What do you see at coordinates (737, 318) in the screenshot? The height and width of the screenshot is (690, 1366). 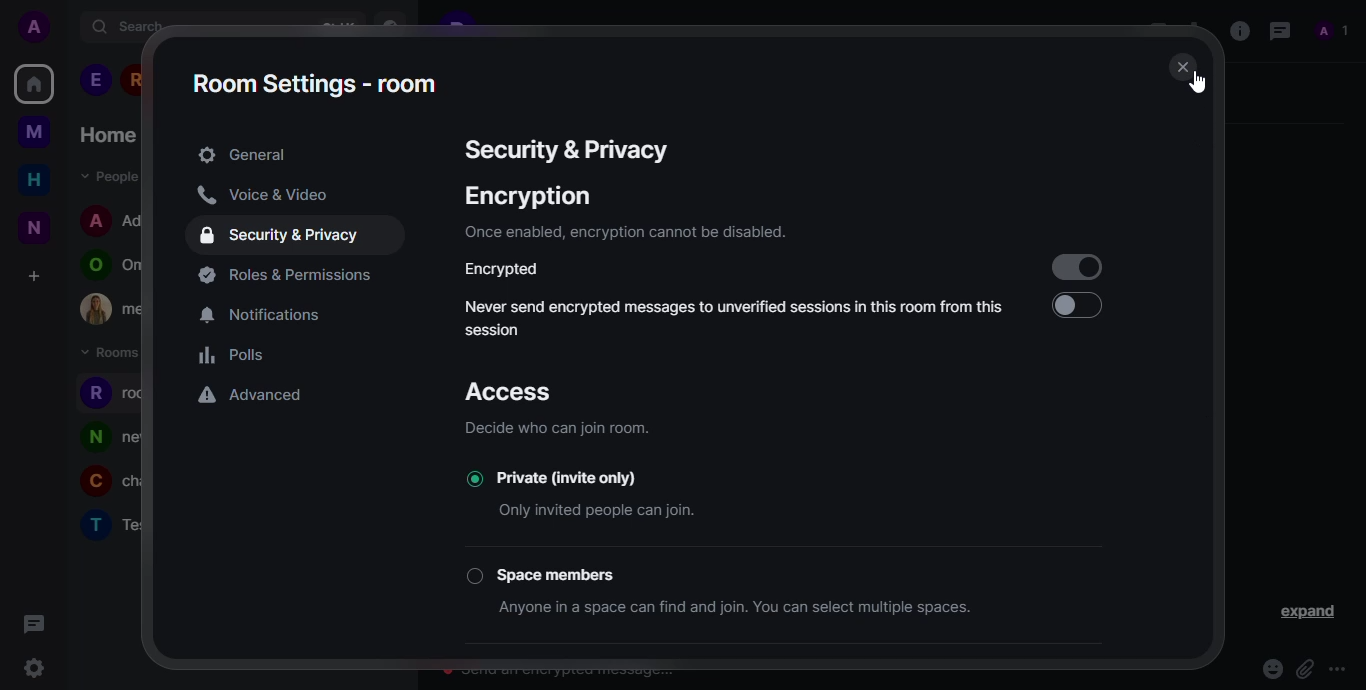 I see `never send encrypted message` at bounding box center [737, 318].